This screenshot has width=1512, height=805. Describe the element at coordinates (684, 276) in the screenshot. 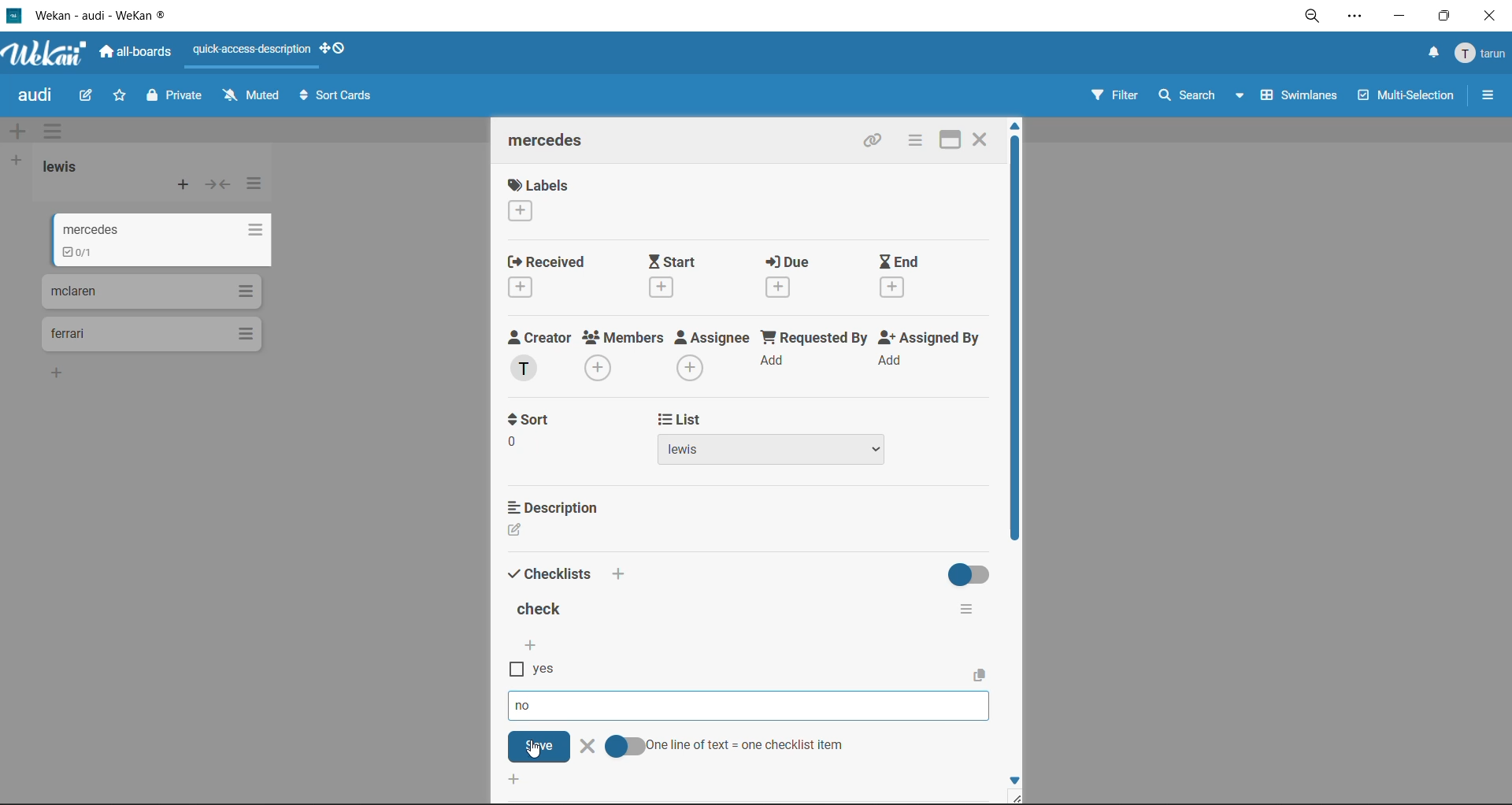

I see `start` at that location.